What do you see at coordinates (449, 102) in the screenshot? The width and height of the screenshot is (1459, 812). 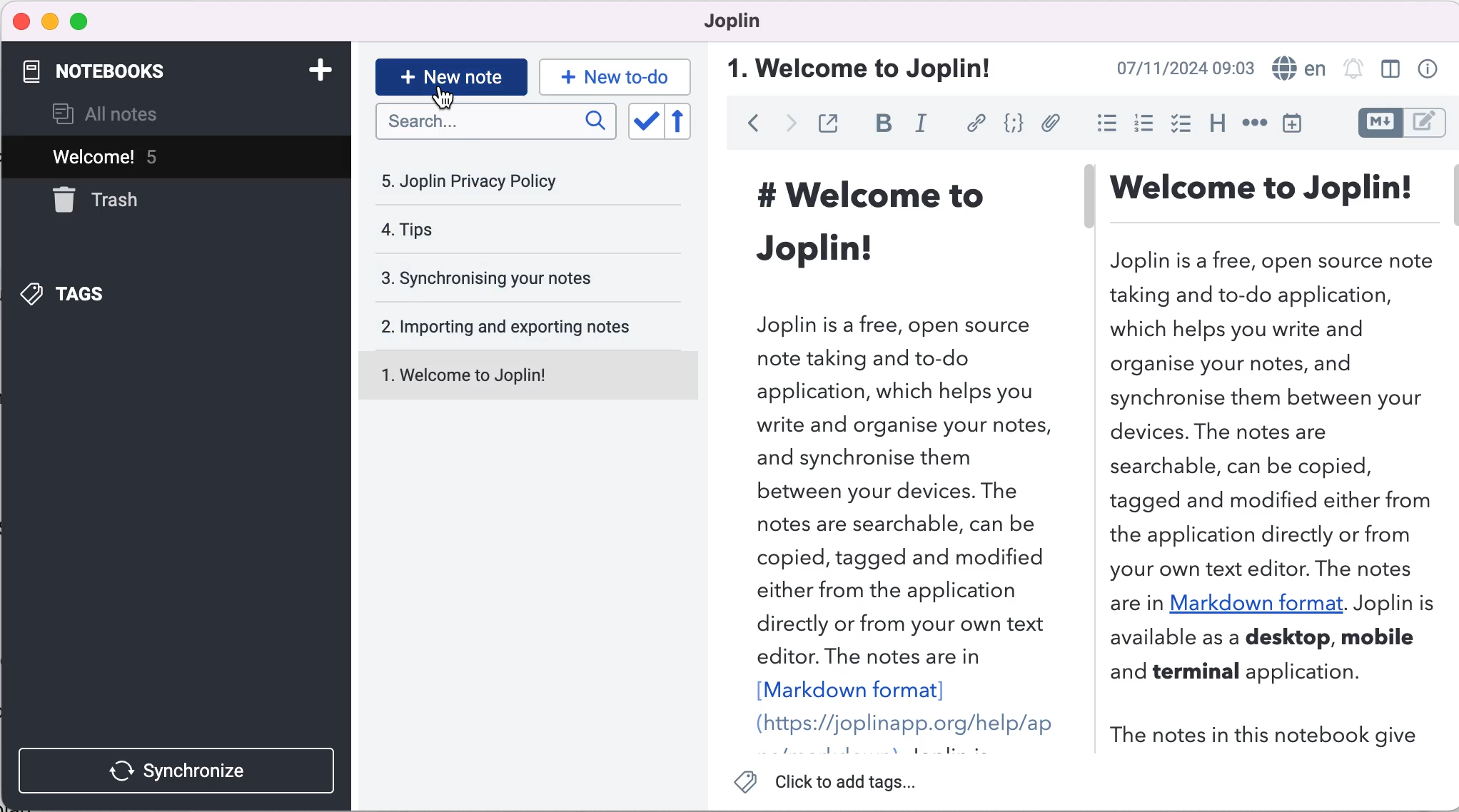 I see `Cursor` at bounding box center [449, 102].